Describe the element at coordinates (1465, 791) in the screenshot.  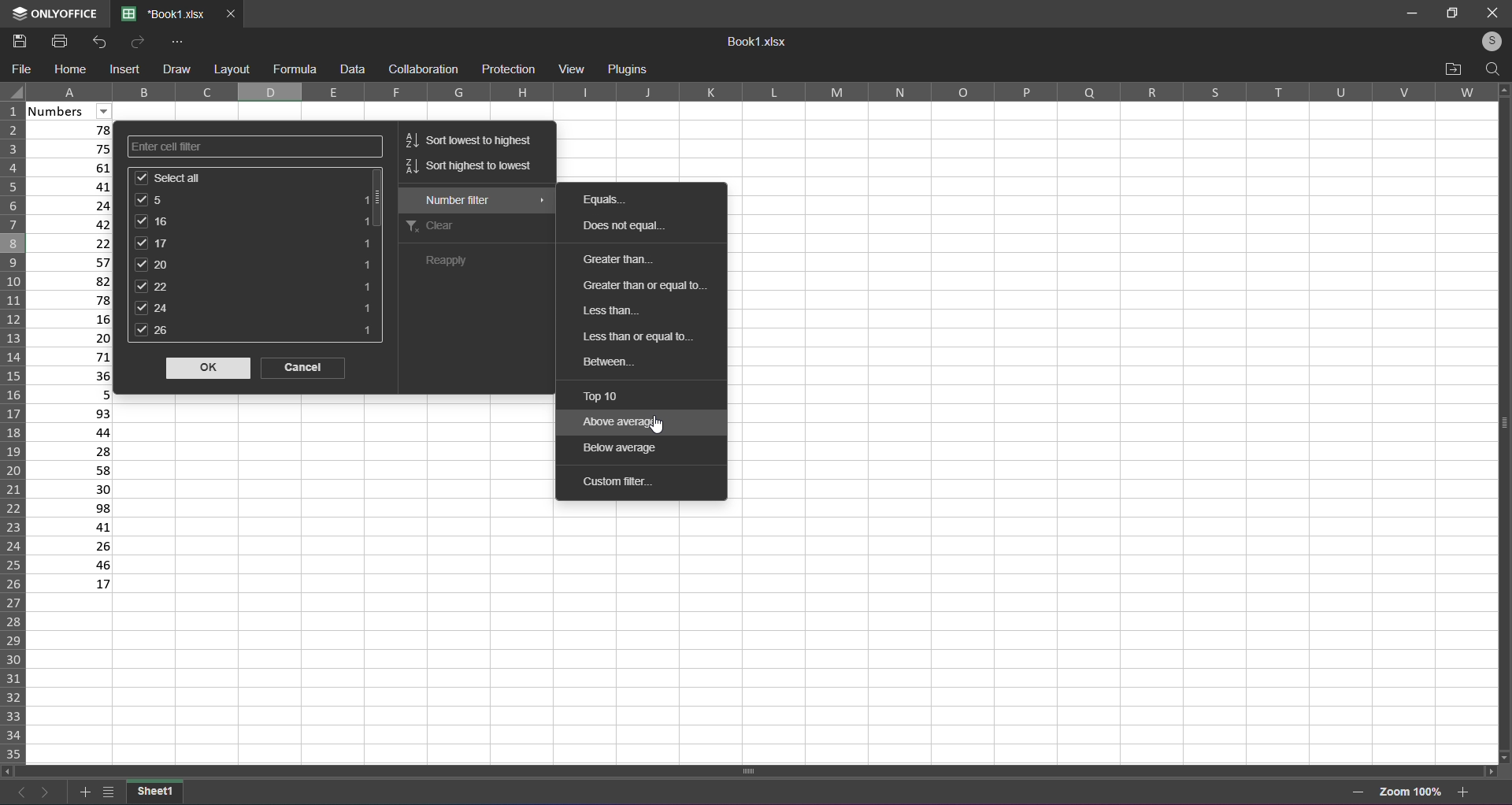
I see `Zoom in` at that location.